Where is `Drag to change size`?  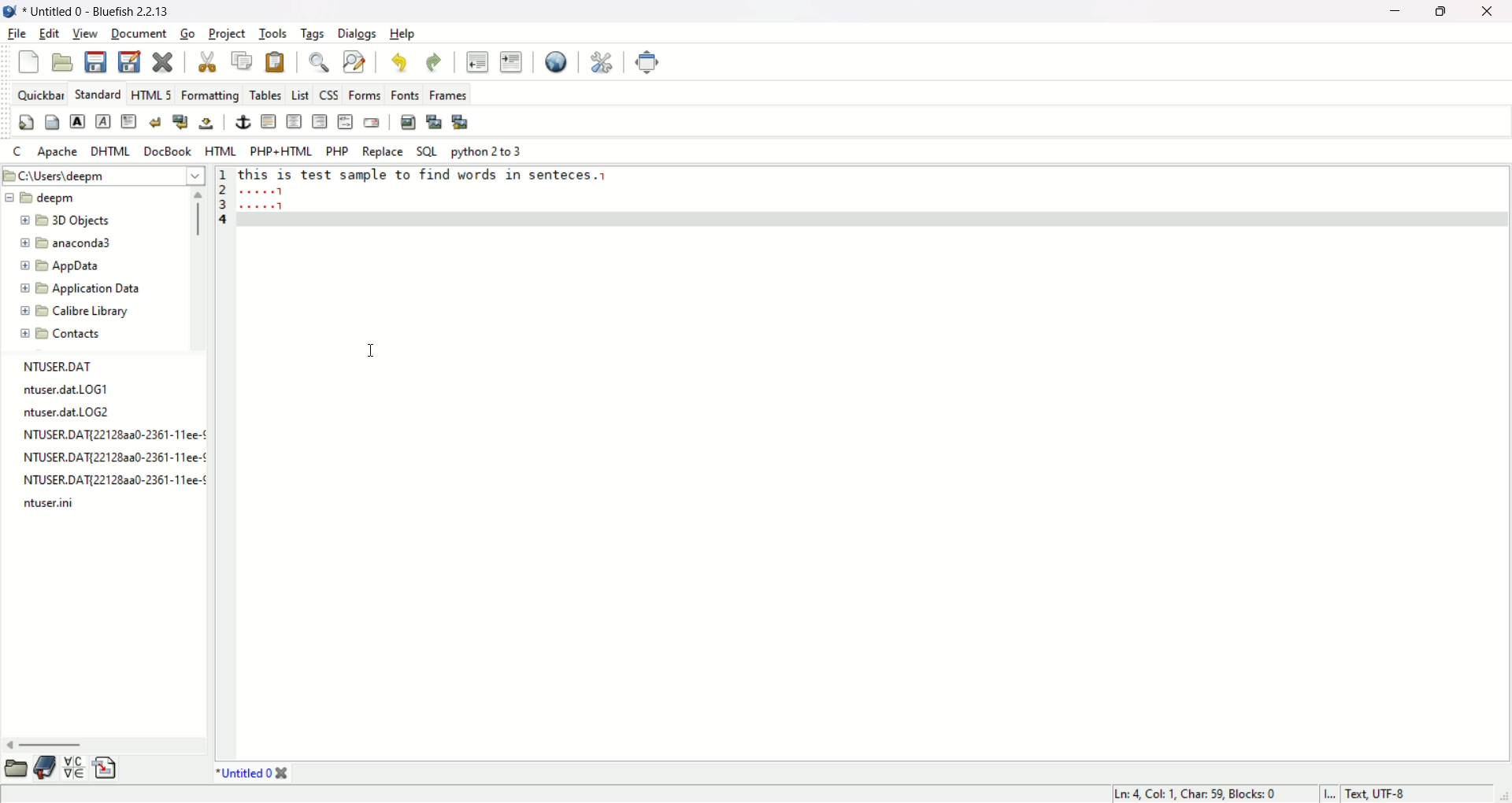
Drag to change size is located at coordinates (1503, 796).